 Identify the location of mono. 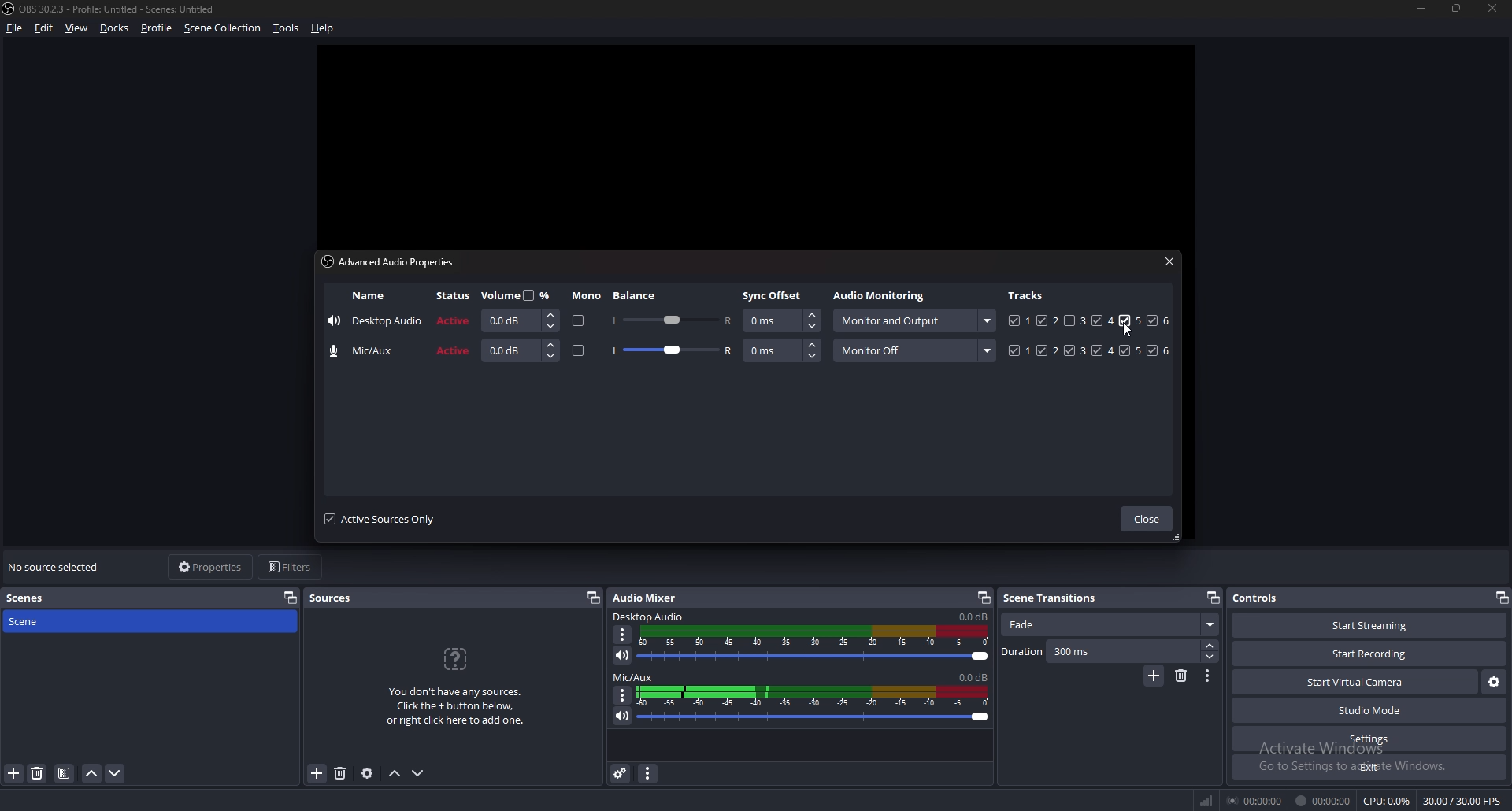
(579, 352).